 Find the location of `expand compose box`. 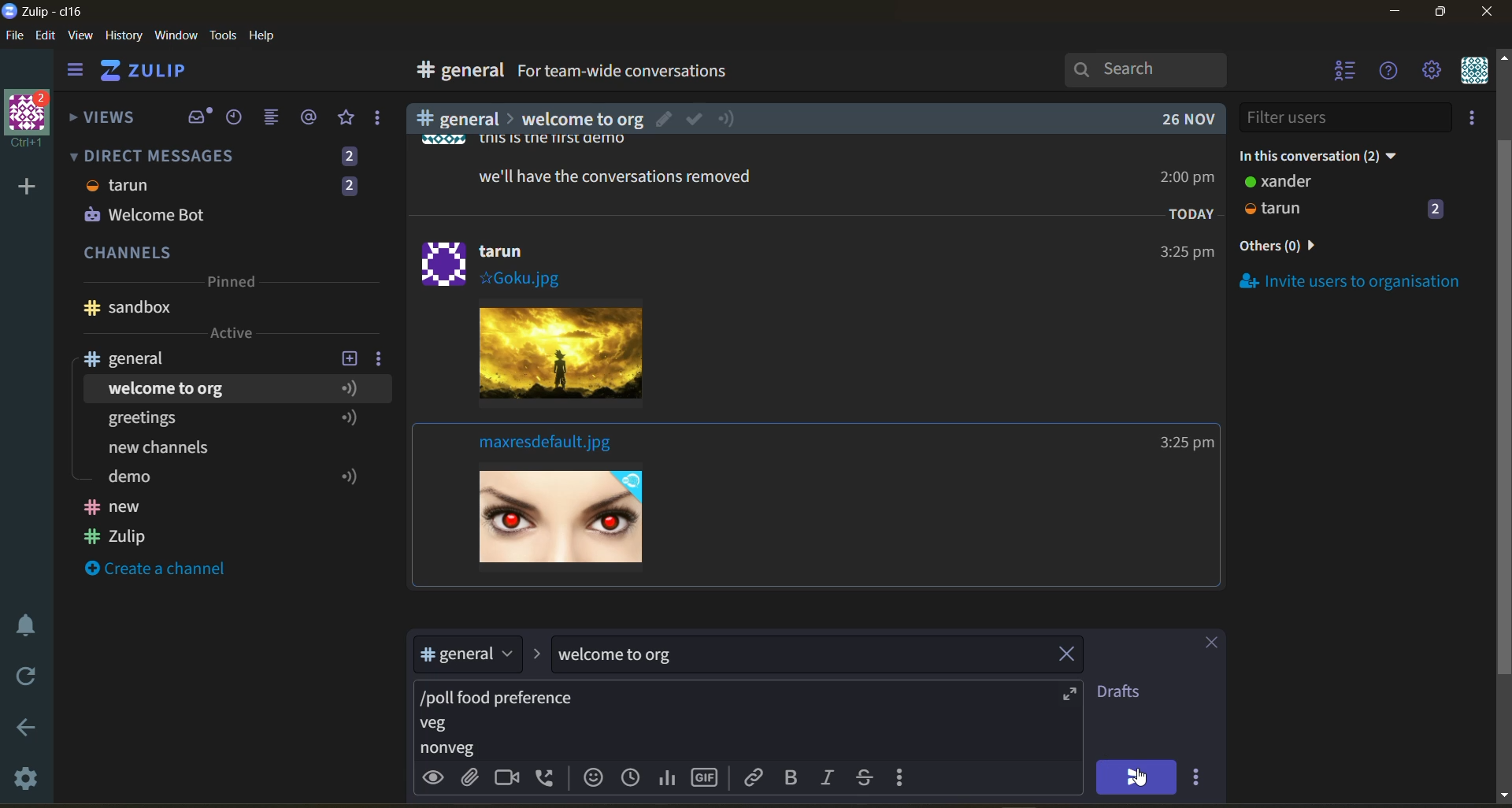

expand compose box is located at coordinates (1070, 695).